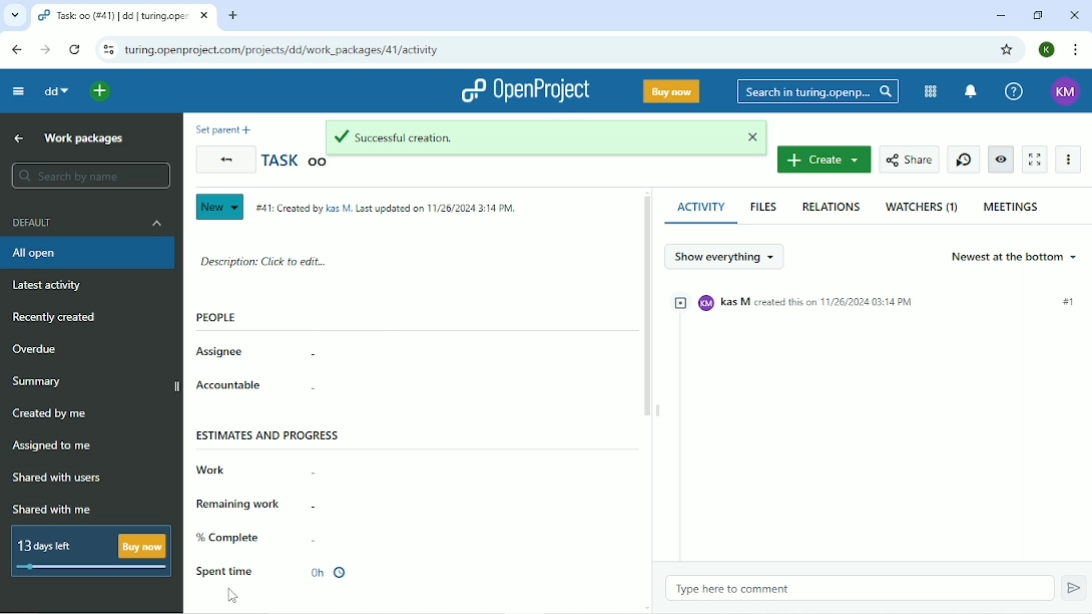 This screenshot has height=614, width=1092. I want to click on Task oo, so click(294, 162).